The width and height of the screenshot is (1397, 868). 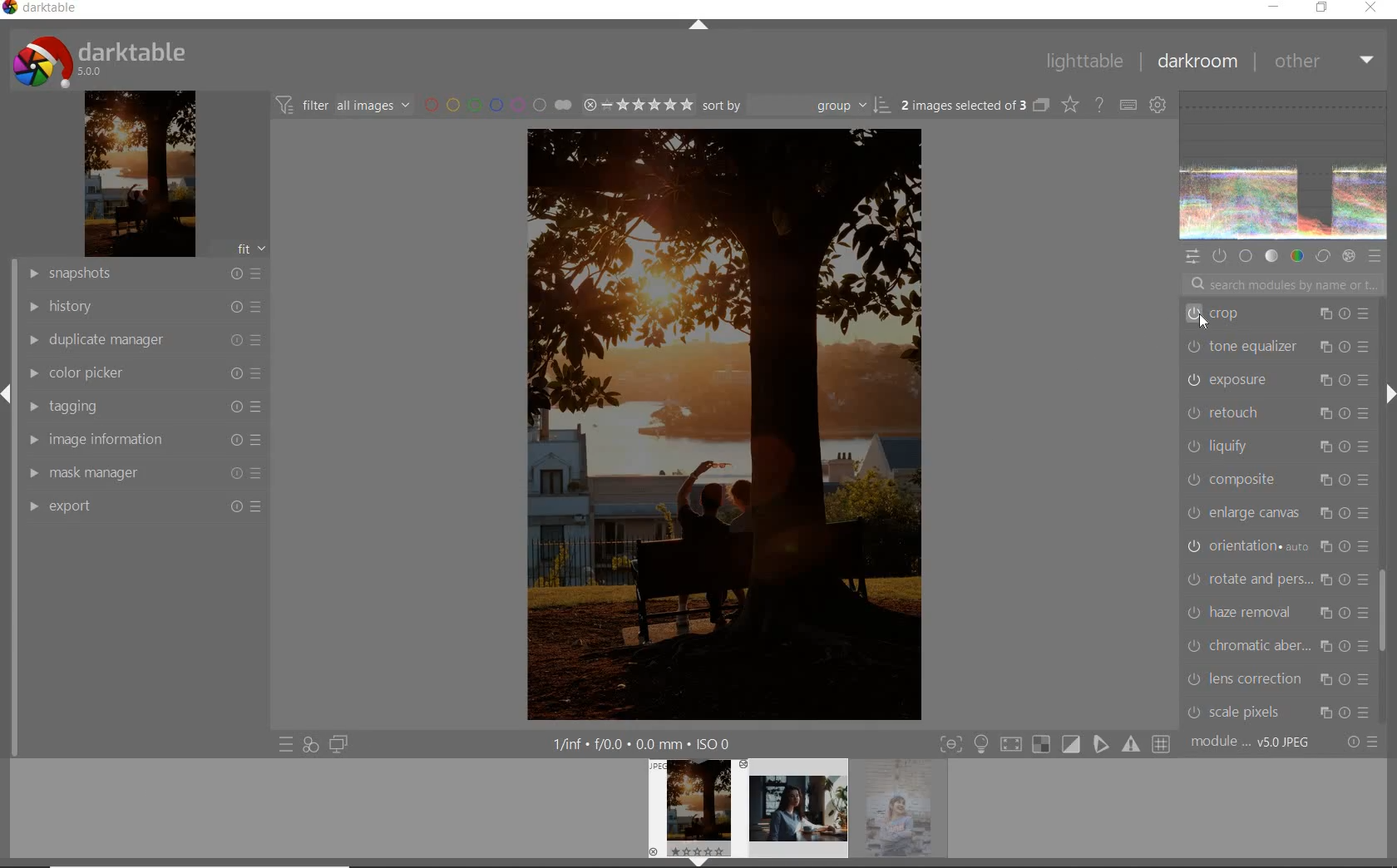 I want to click on restore, so click(x=1321, y=8).